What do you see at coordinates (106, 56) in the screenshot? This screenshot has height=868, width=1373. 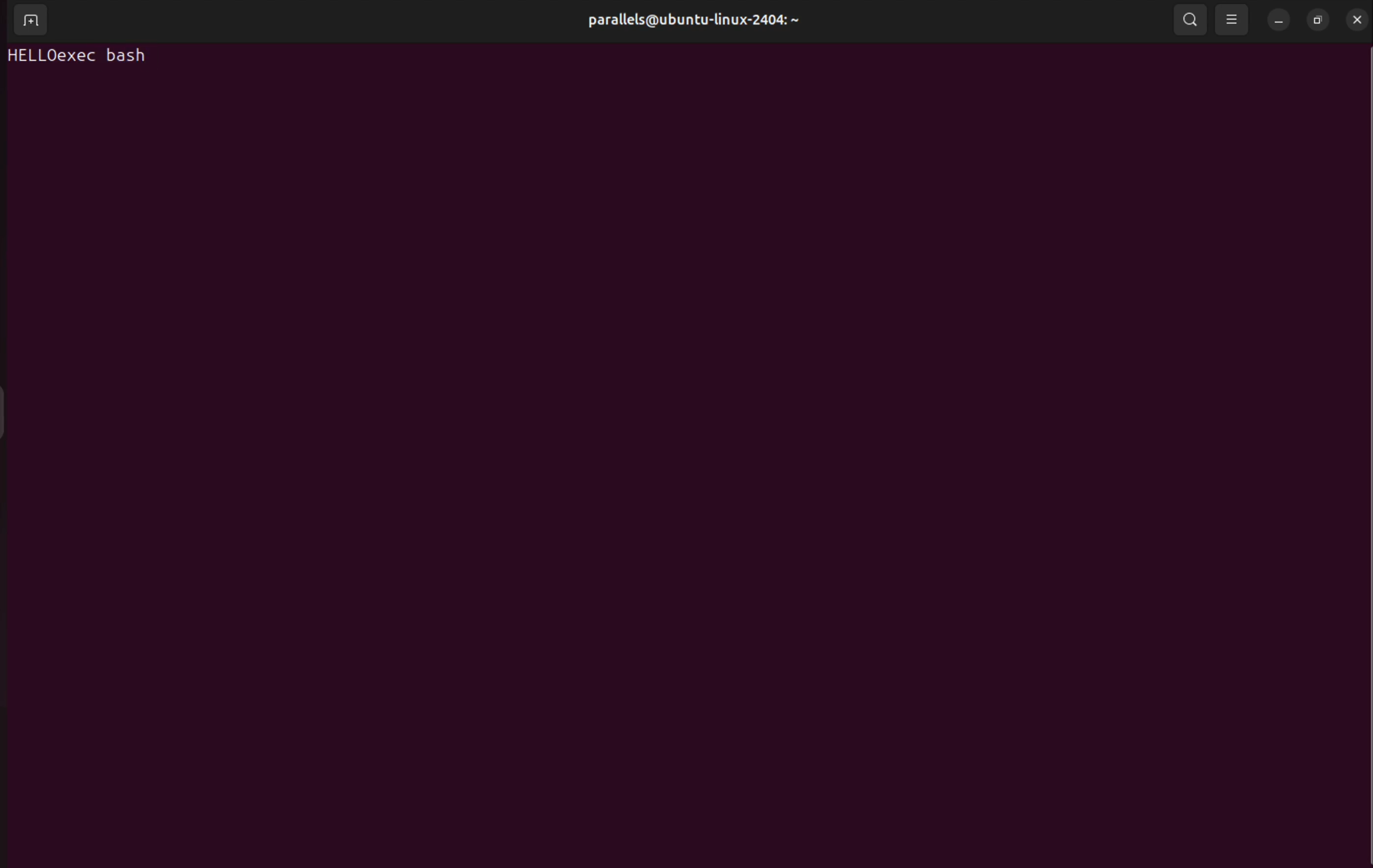 I see `exec bash` at bounding box center [106, 56].